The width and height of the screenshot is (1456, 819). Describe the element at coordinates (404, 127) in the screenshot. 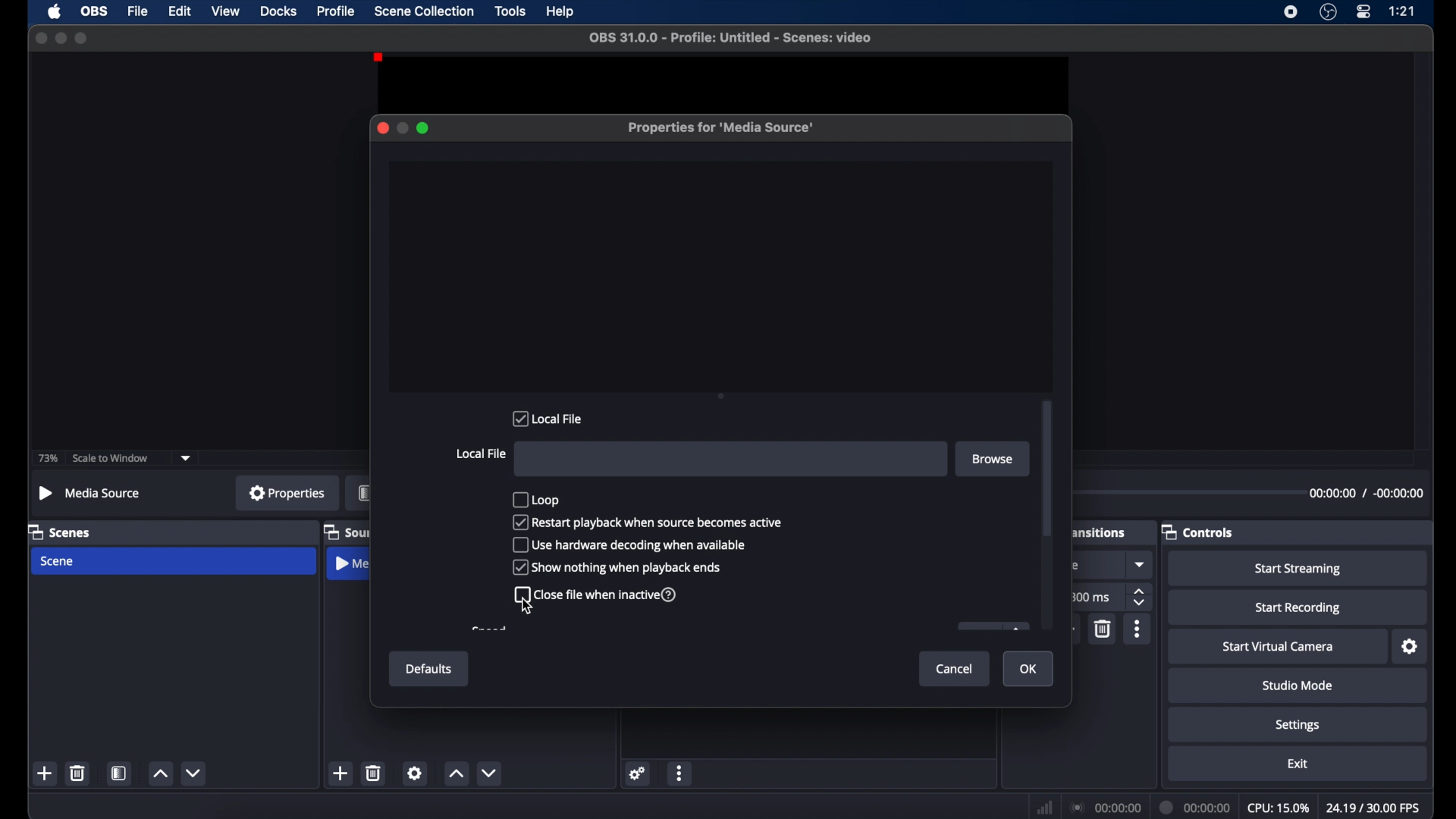

I see `minimize` at that location.